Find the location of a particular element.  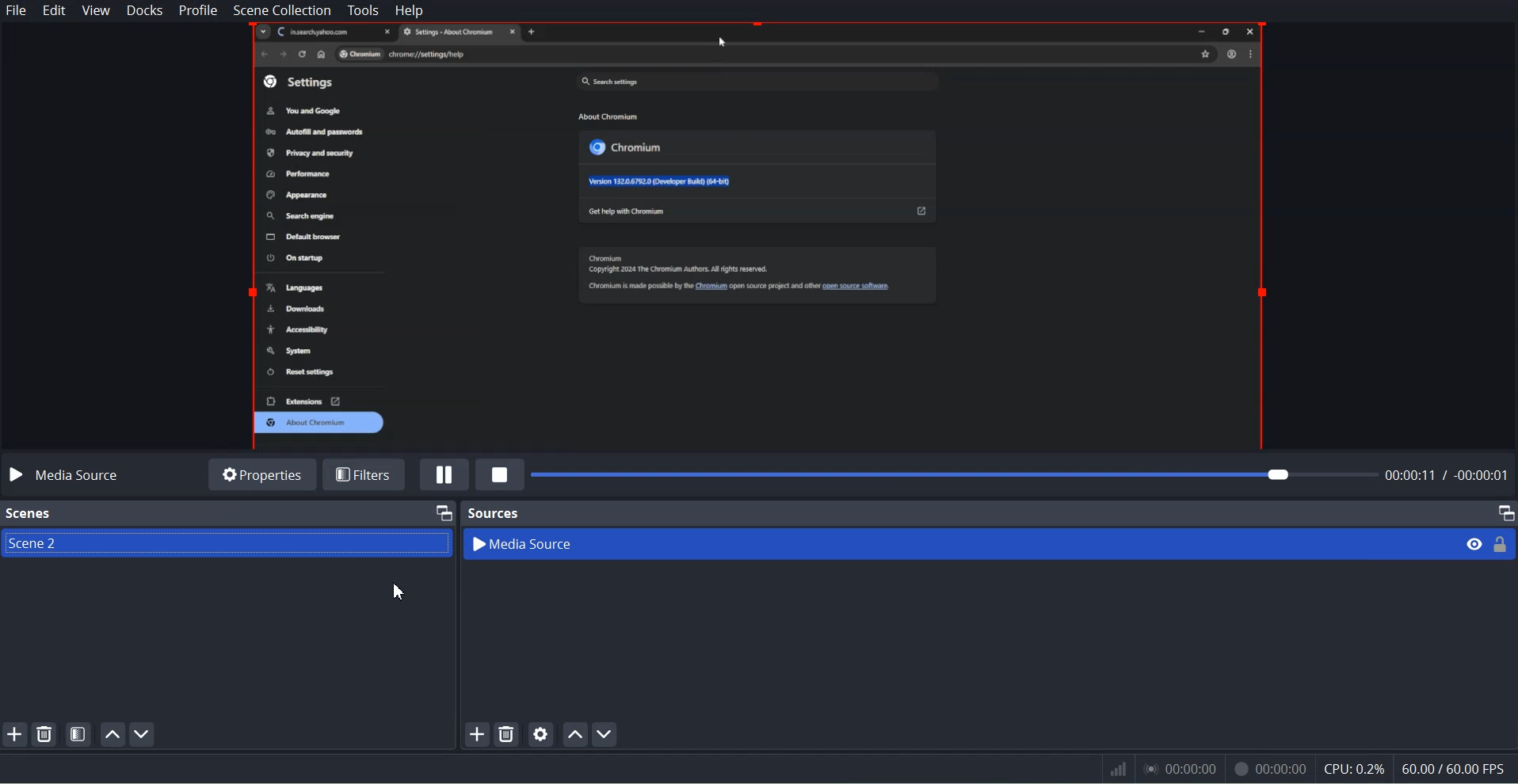

Tools is located at coordinates (362, 10).